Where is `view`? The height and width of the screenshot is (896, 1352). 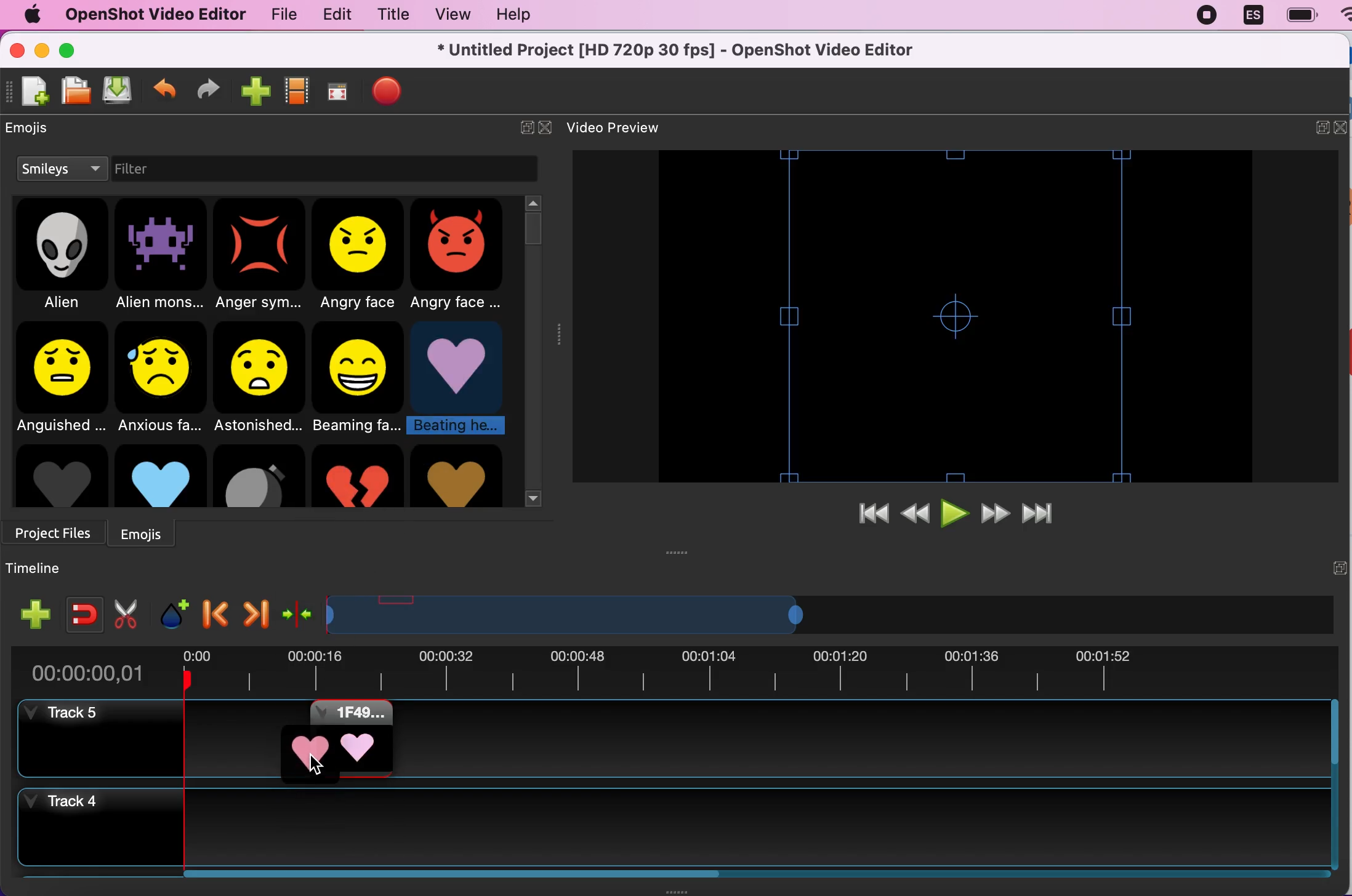 view is located at coordinates (446, 15).